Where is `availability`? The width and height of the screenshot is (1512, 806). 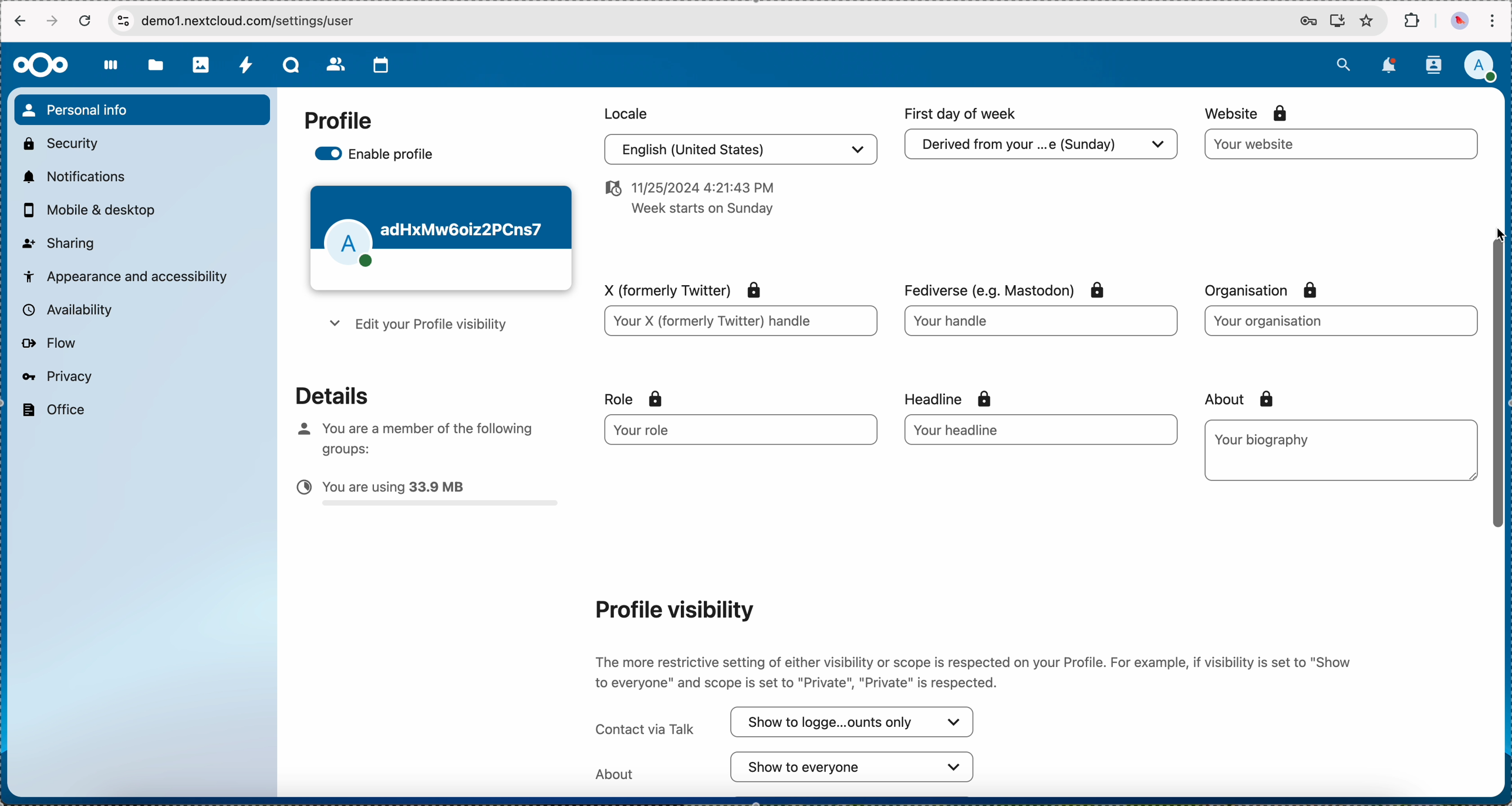
availability is located at coordinates (65, 309).